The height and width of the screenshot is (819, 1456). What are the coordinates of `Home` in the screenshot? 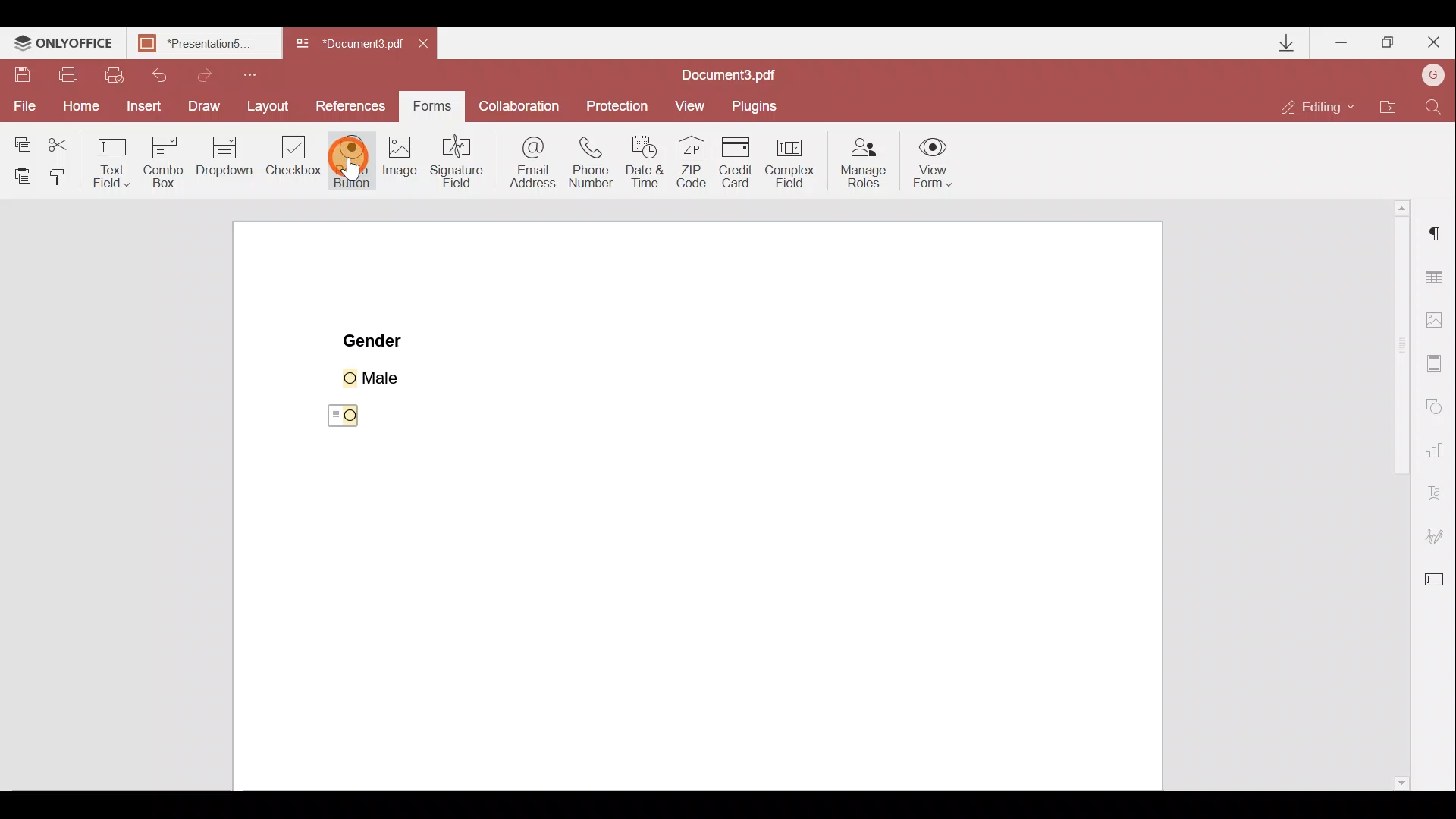 It's located at (77, 108).